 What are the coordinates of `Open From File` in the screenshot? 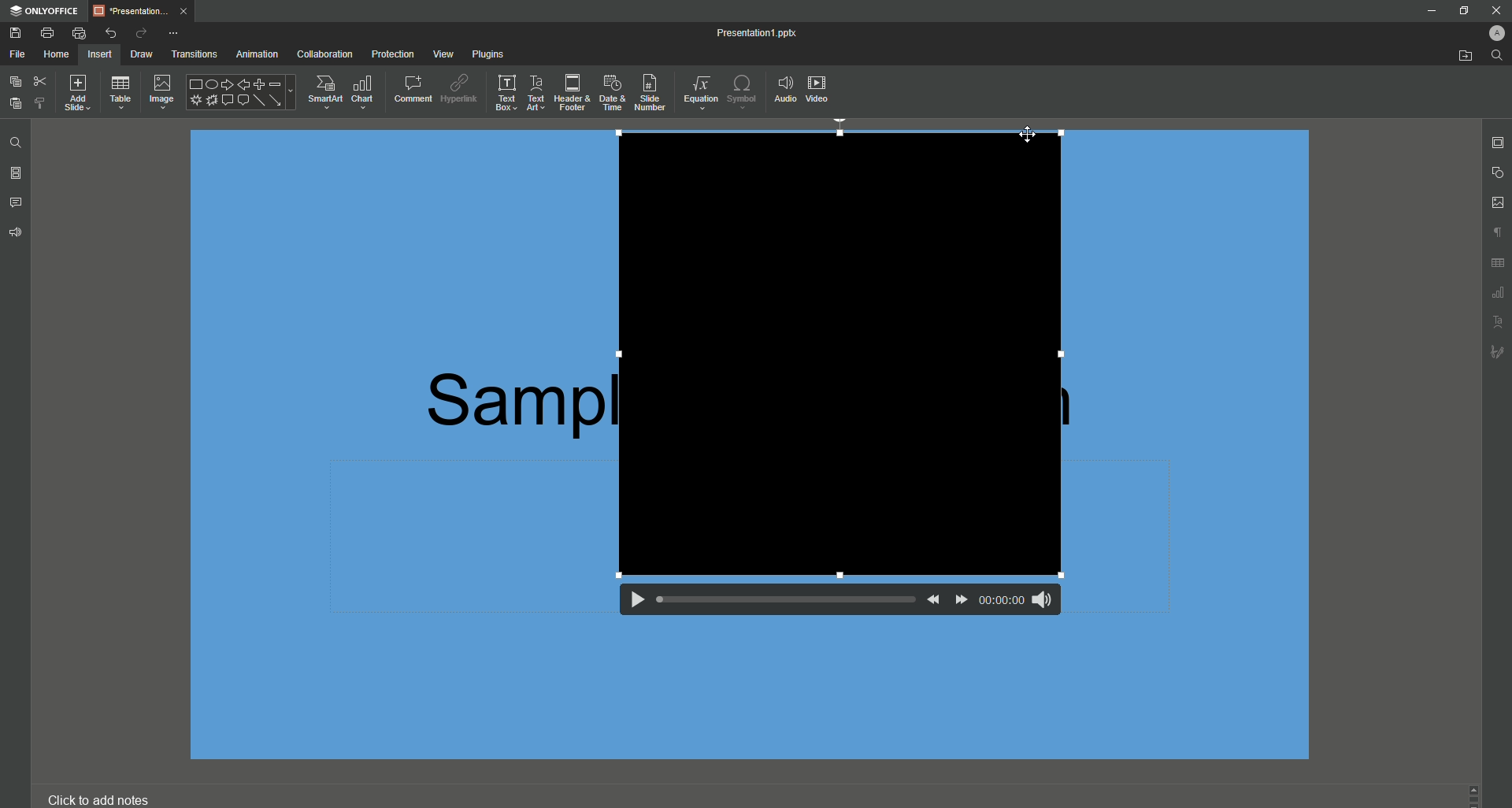 It's located at (1462, 55).